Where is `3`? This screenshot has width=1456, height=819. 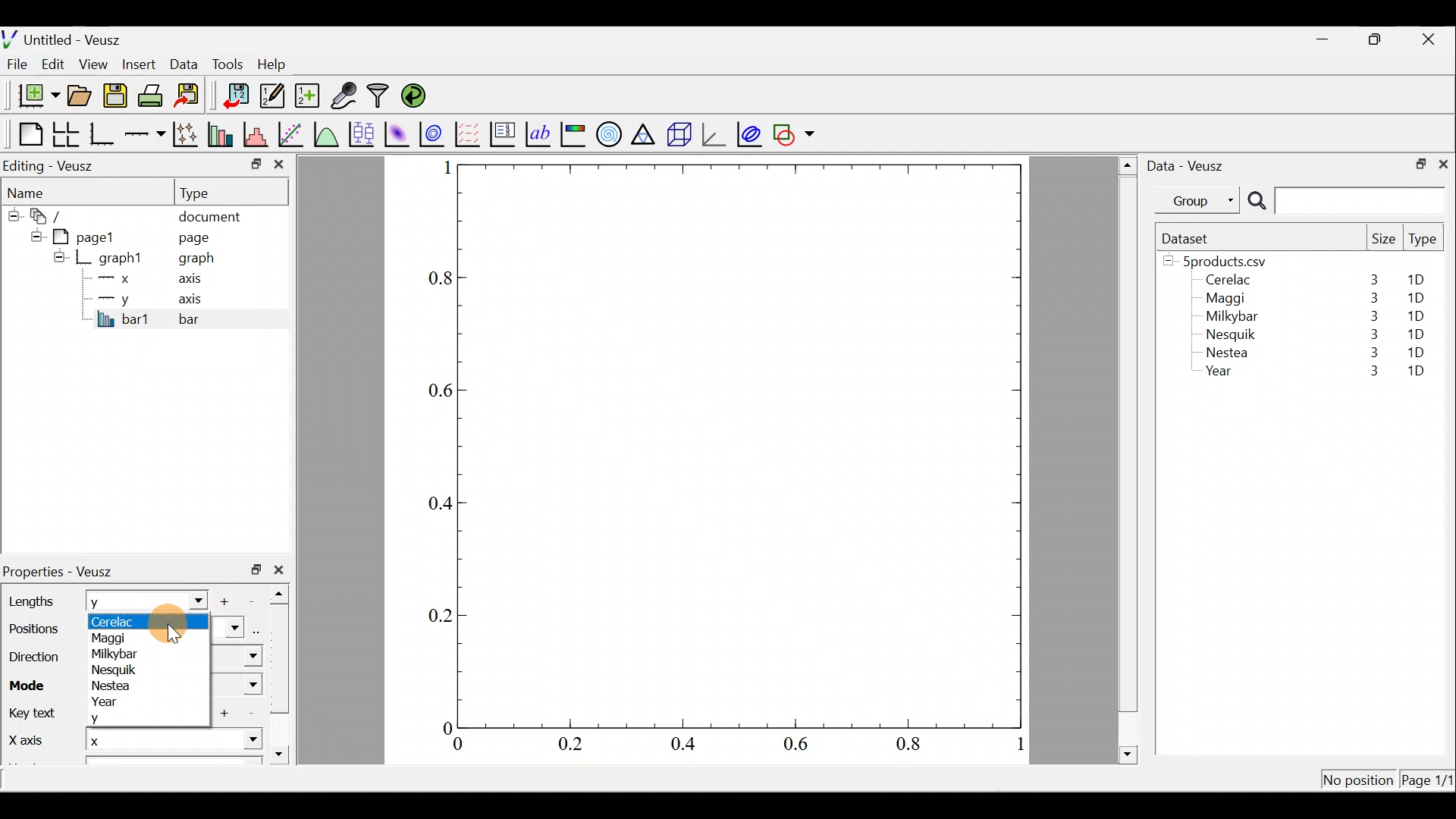 3 is located at coordinates (1370, 298).